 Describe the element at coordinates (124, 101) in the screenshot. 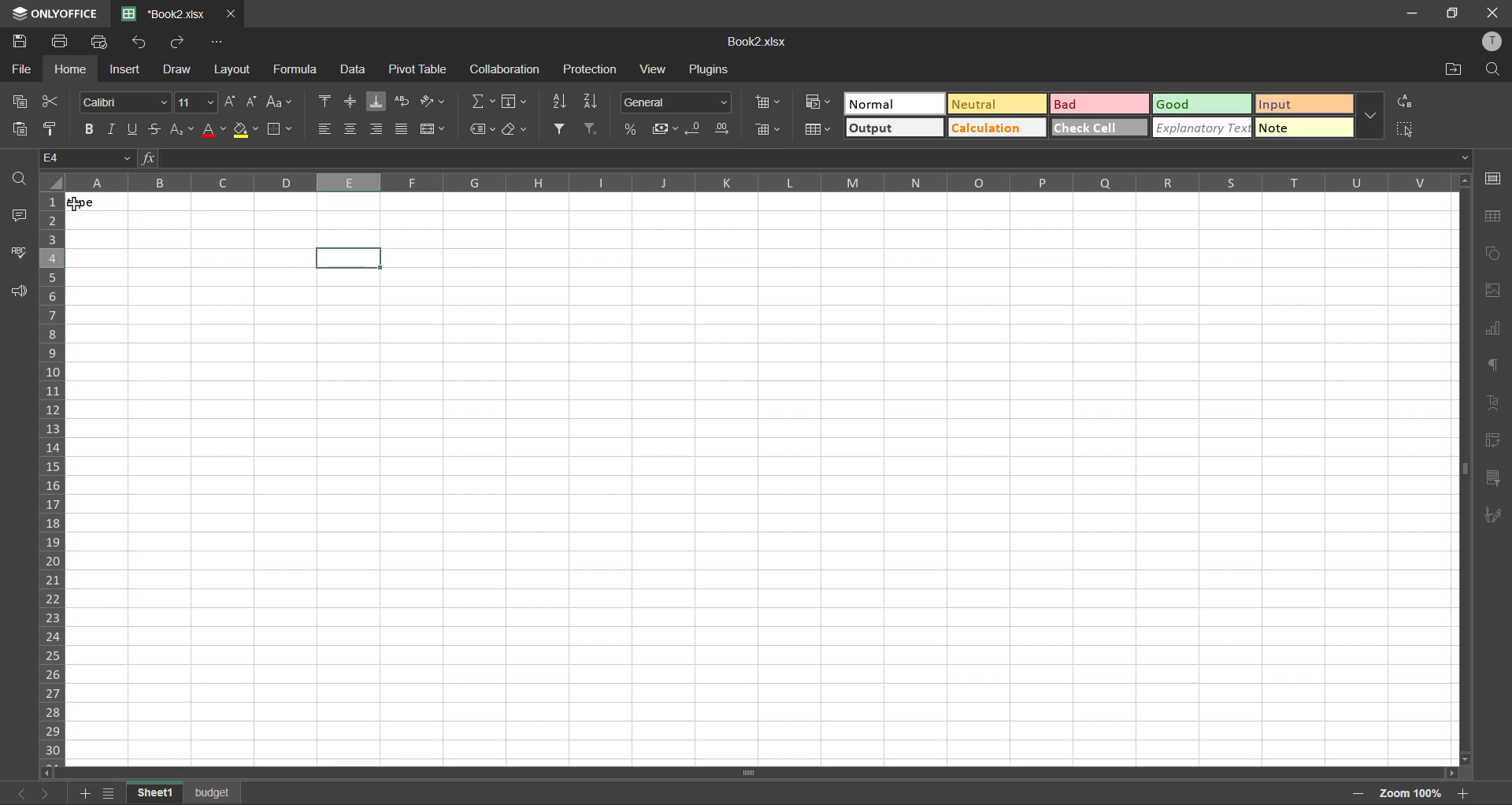

I see `font style` at that location.